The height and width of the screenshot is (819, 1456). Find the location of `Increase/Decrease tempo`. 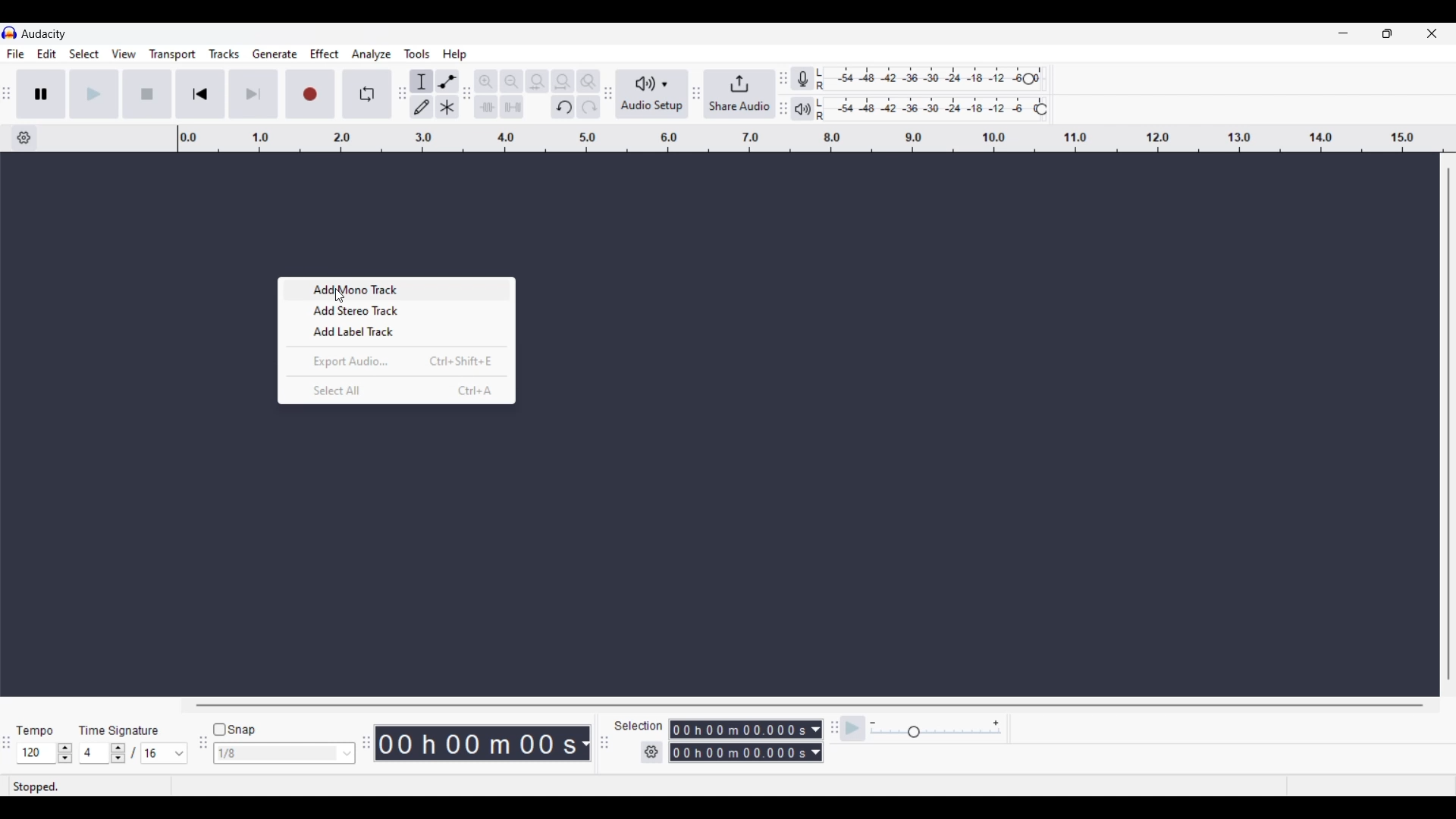

Increase/Decrease tempo is located at coordinates (65, 753).